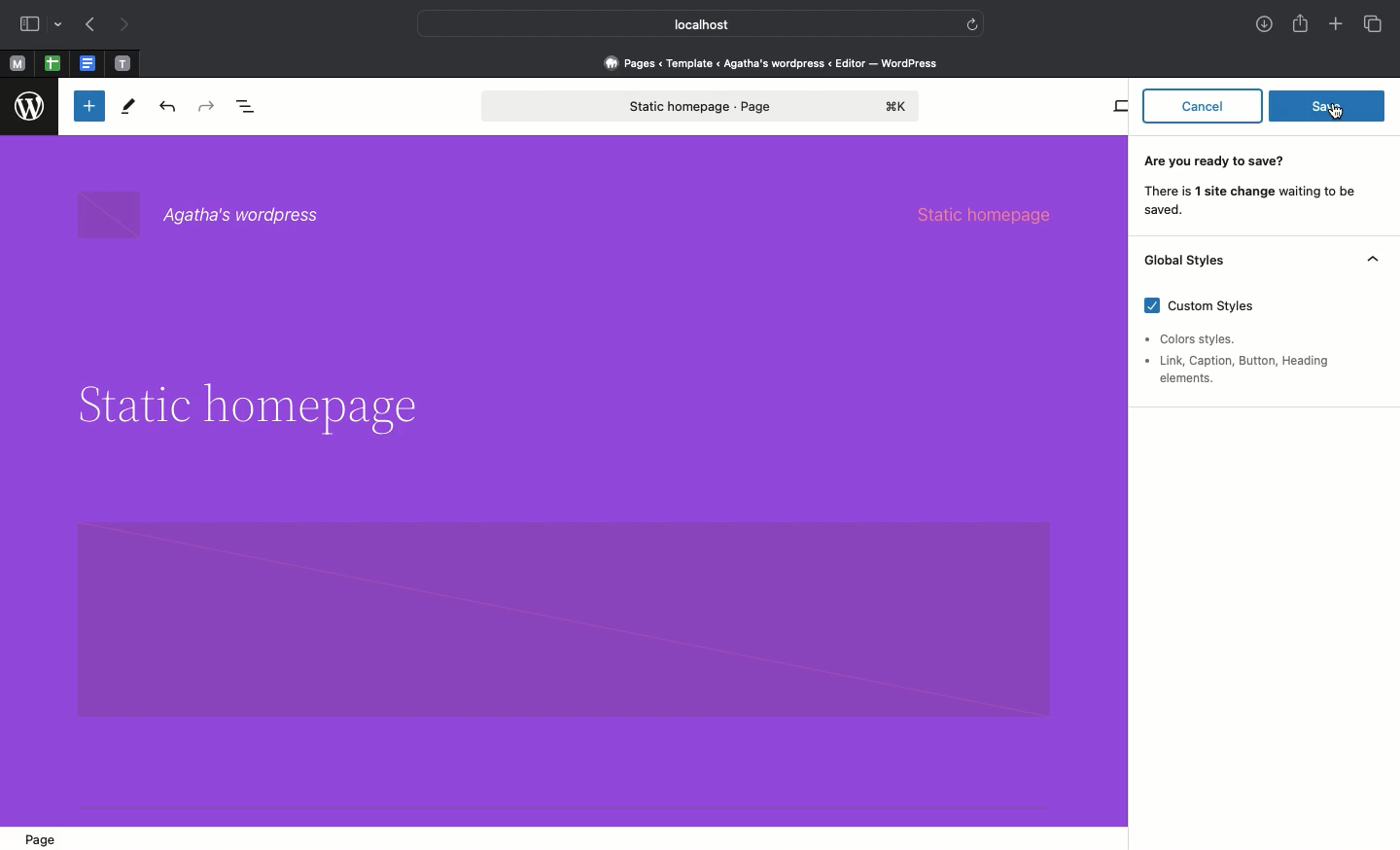 The image size is (1400, 850). Describe the element at coordinates (997, 212) in the screenshot. I see `Static homepage` at that location.